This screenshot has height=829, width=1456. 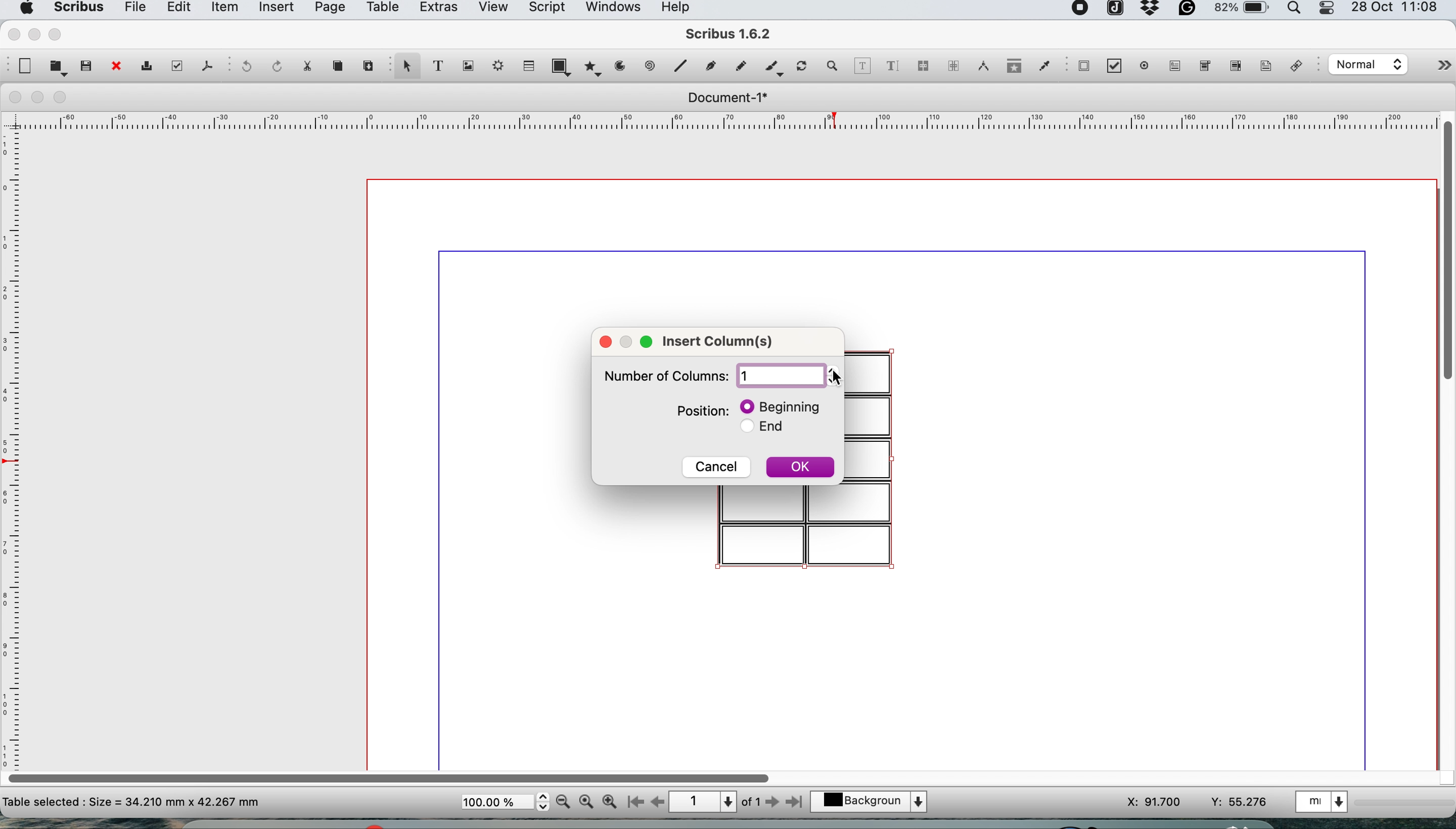 I want to click on zoom out, so click(x=565, y=802).